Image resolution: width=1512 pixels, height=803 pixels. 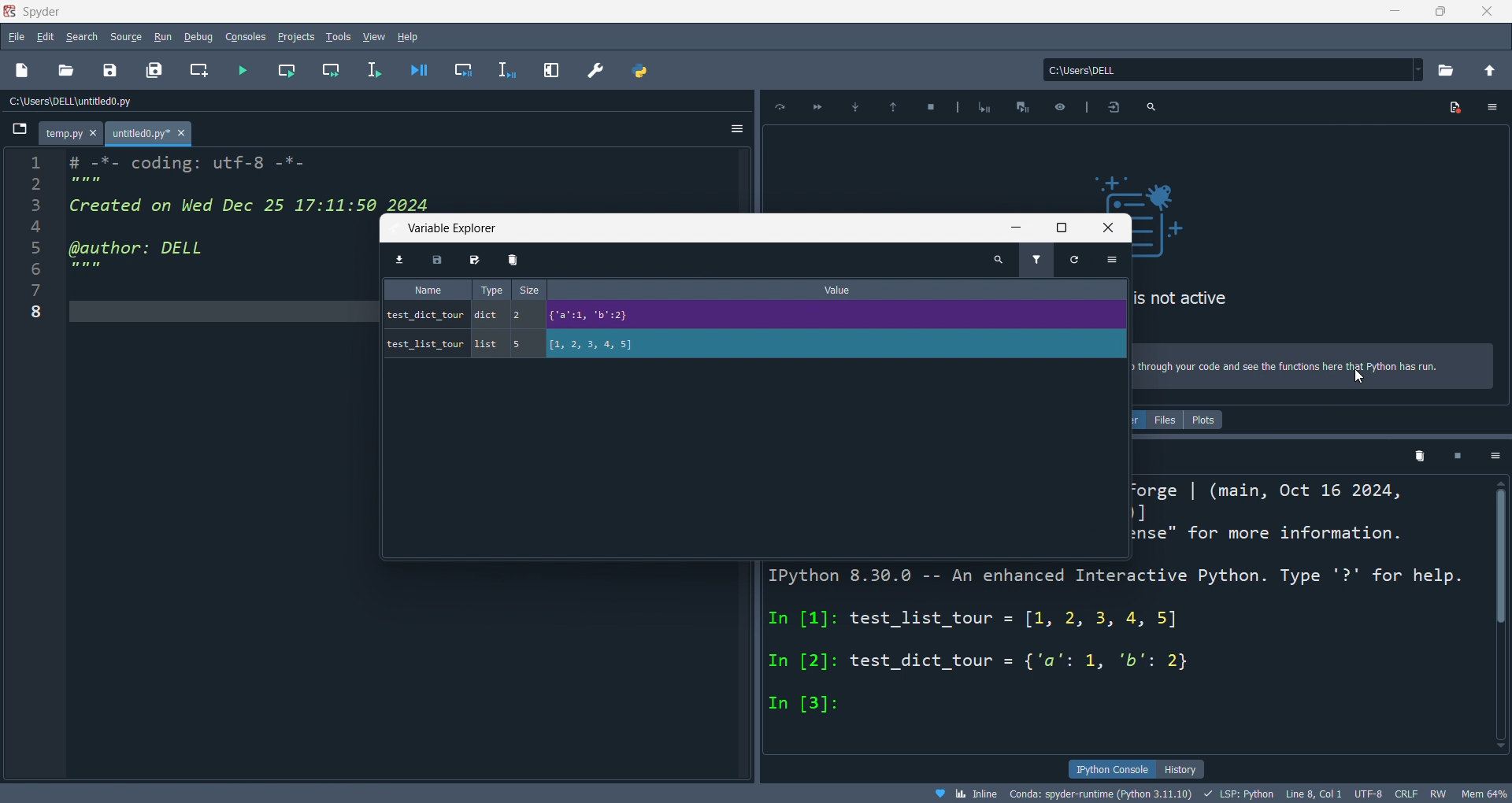 What do you see at coordinates (1369, 793) in the screenshot?
I see `UTF-8` at bounding box center [1369, 793].